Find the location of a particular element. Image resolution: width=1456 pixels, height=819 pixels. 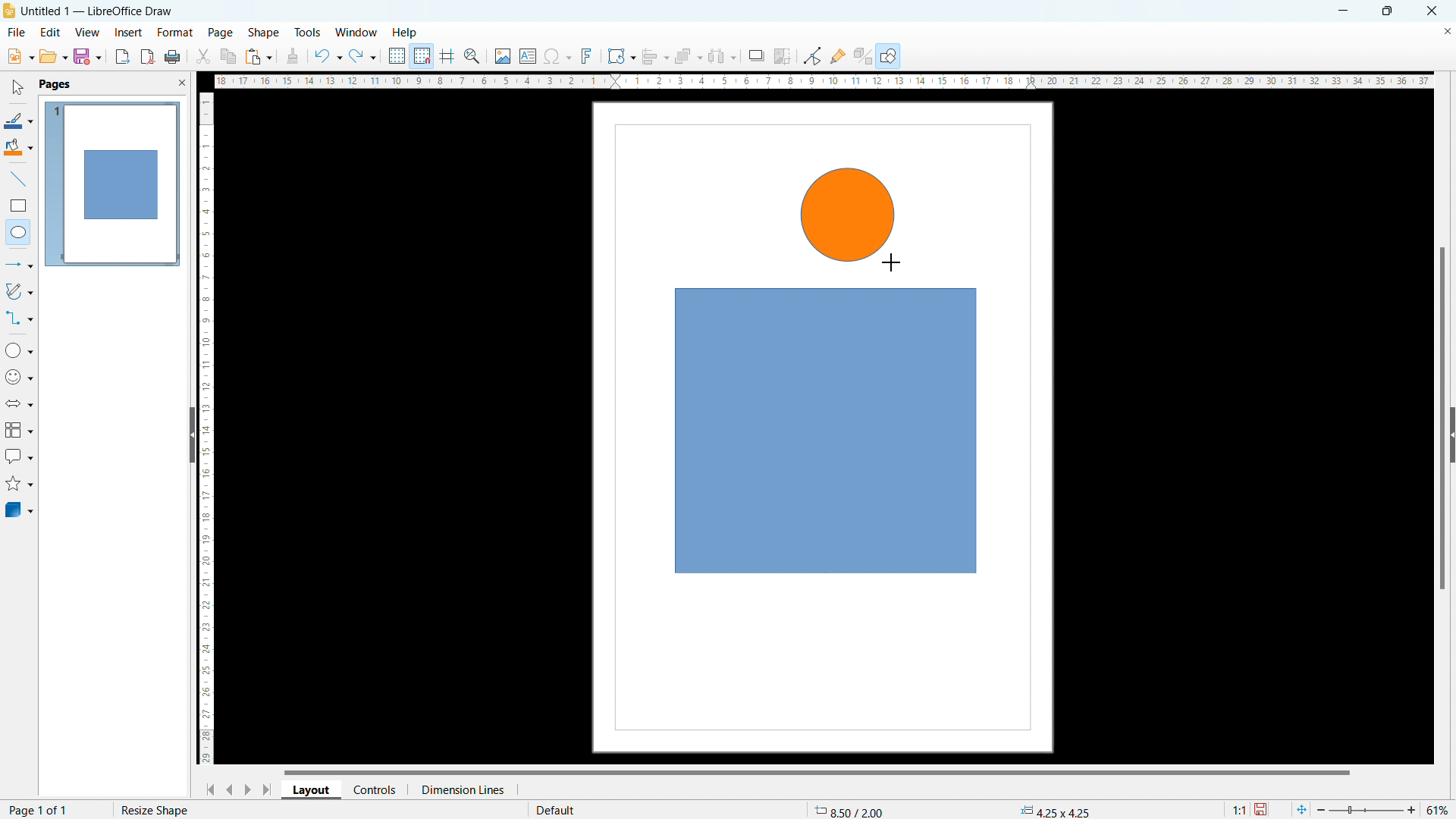

cursor coordinates is located at coordinates (853, 808).